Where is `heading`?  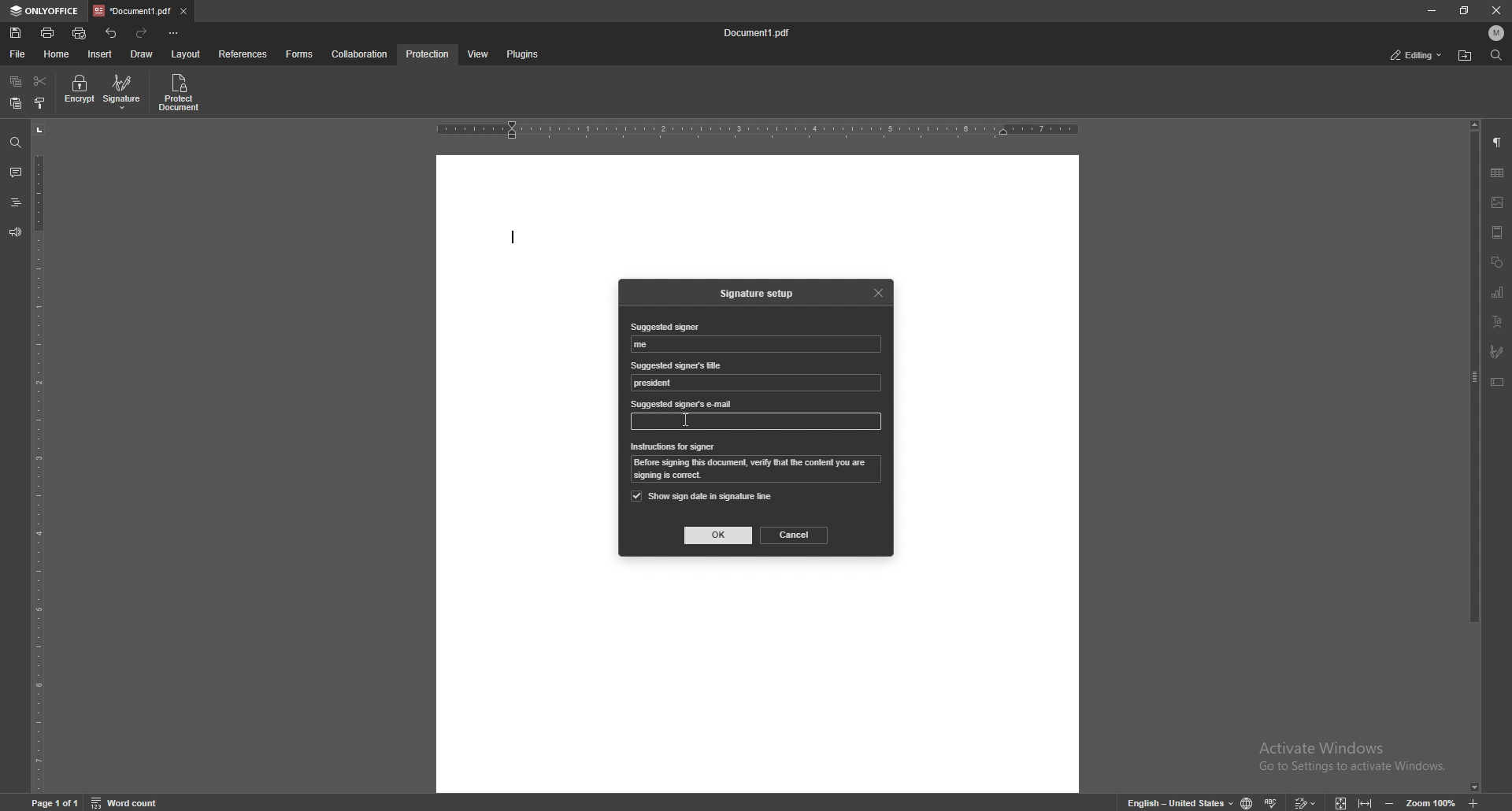
heading is located at coordinates (15, 204).